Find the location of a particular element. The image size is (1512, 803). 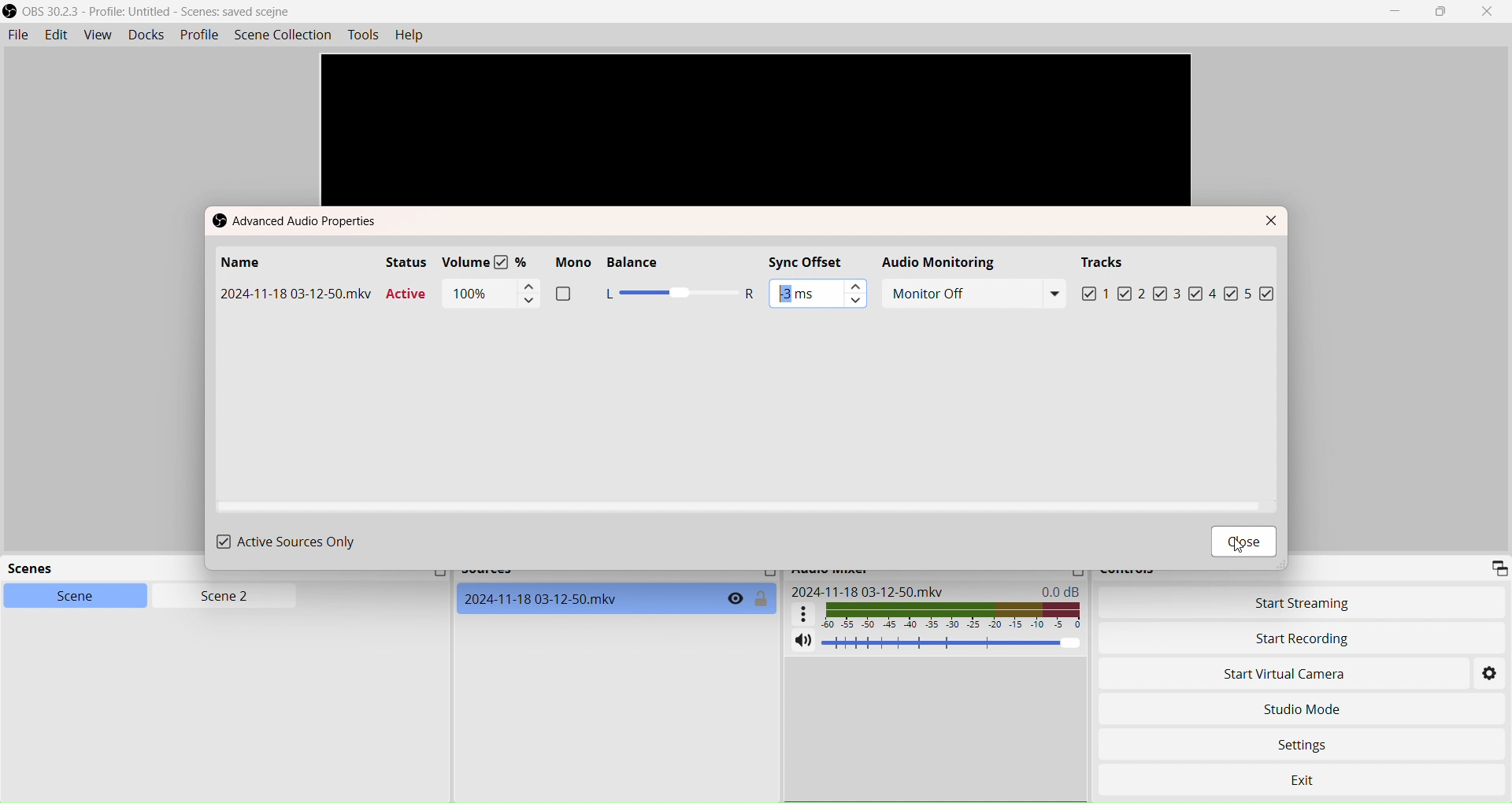

5 is located at coordinates (1261, 294).